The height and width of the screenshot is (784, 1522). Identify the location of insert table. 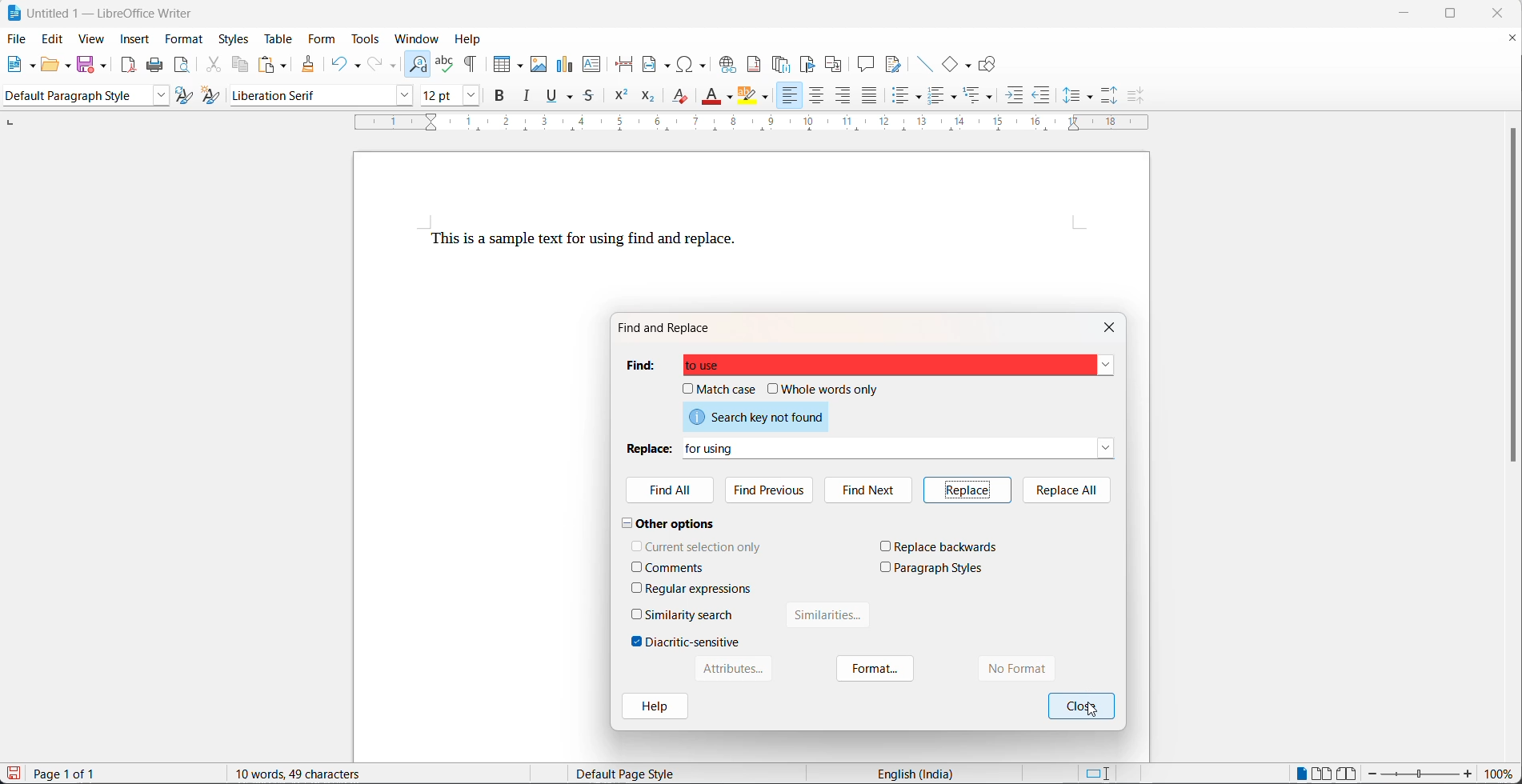
(508, 59).